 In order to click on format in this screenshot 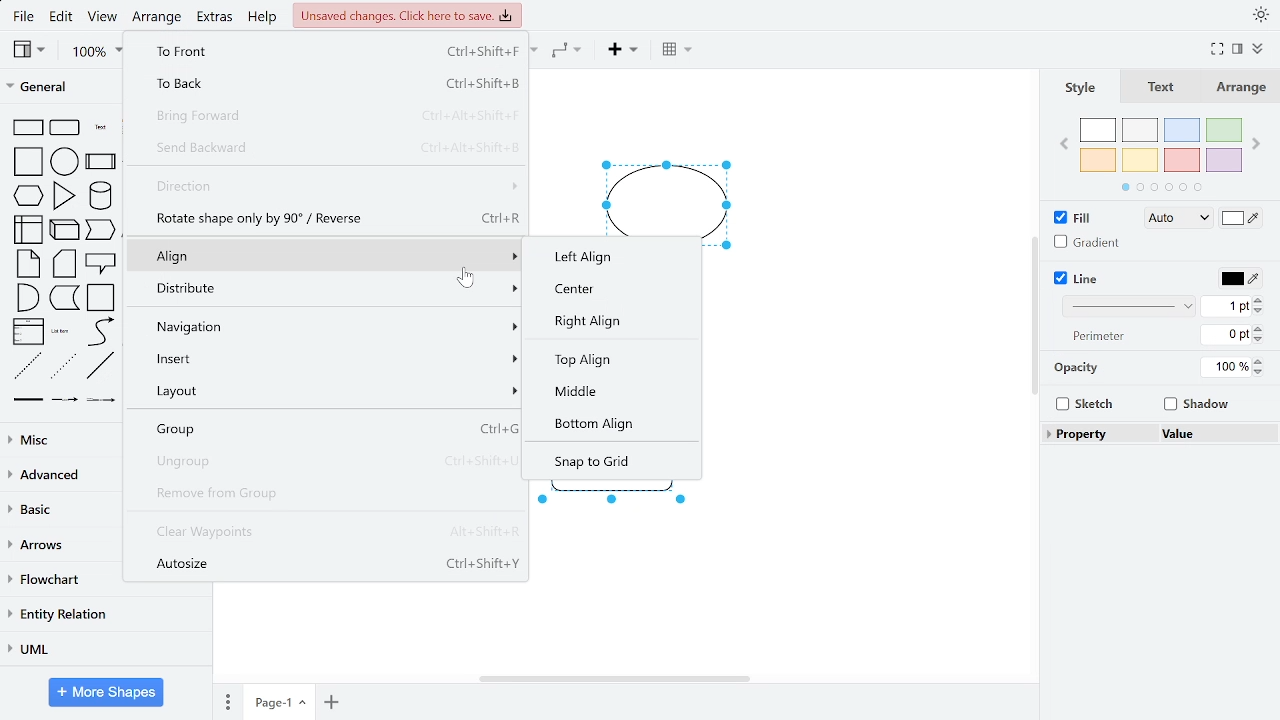, I will do `click(1237, 49)`.